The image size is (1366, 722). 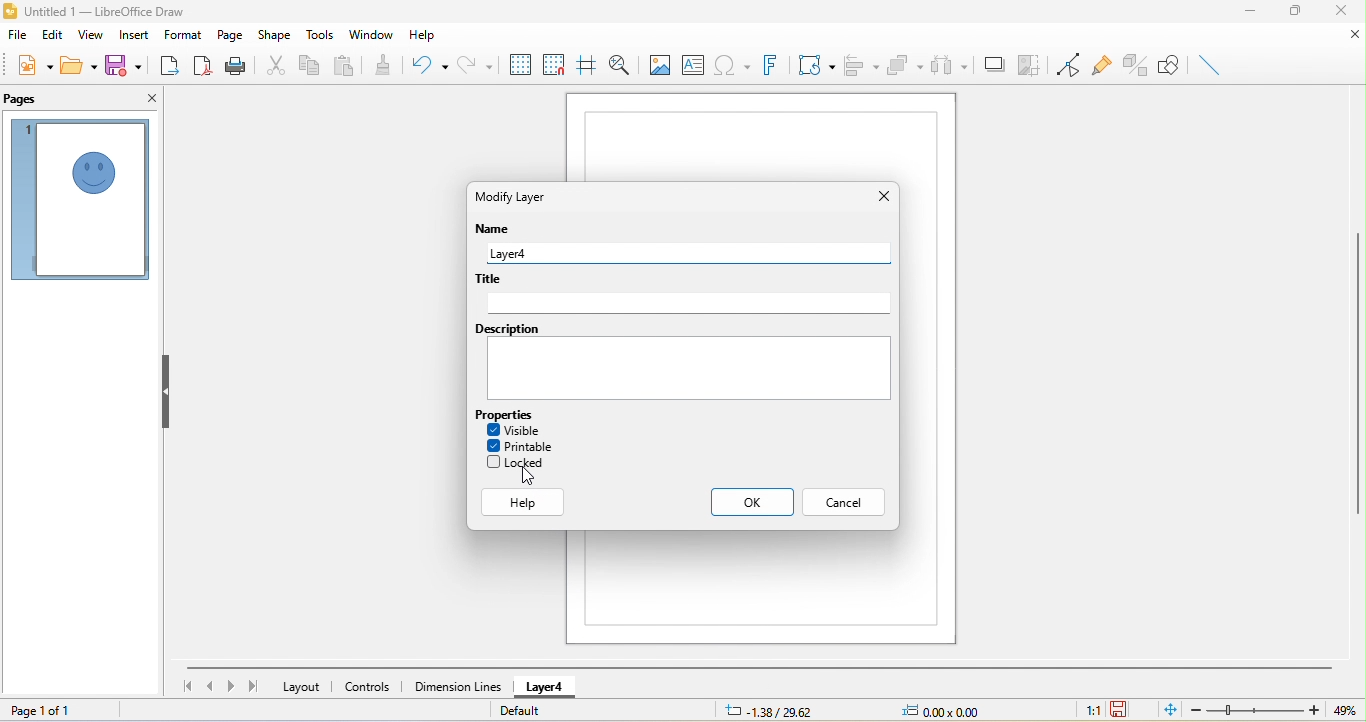 I want to click on last page, so click(x=251, y=685).